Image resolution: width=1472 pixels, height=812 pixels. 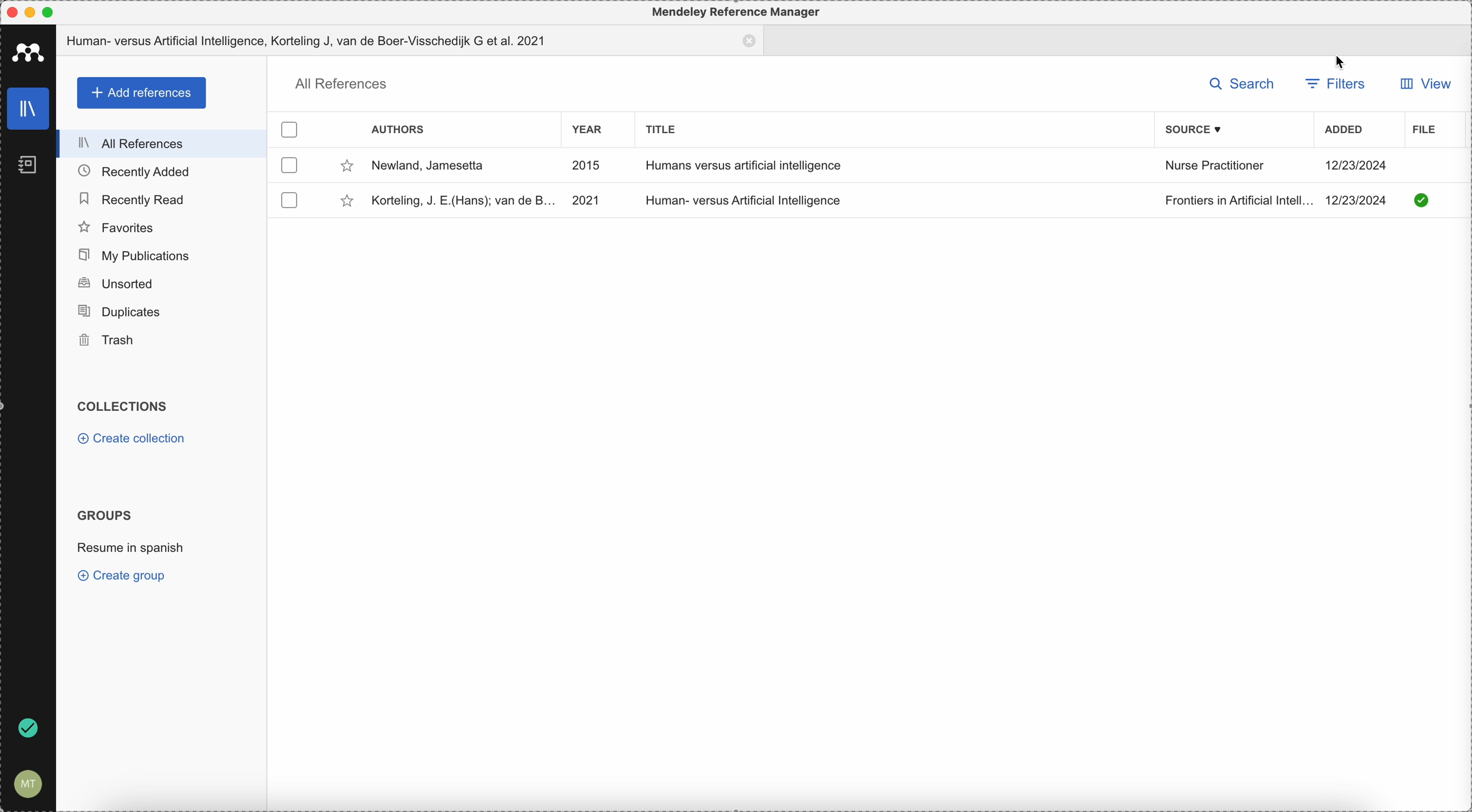 What do you see at coordinates (160, 313) in the screenshot?
I see `duplicates` at bounding box center [160, 313].